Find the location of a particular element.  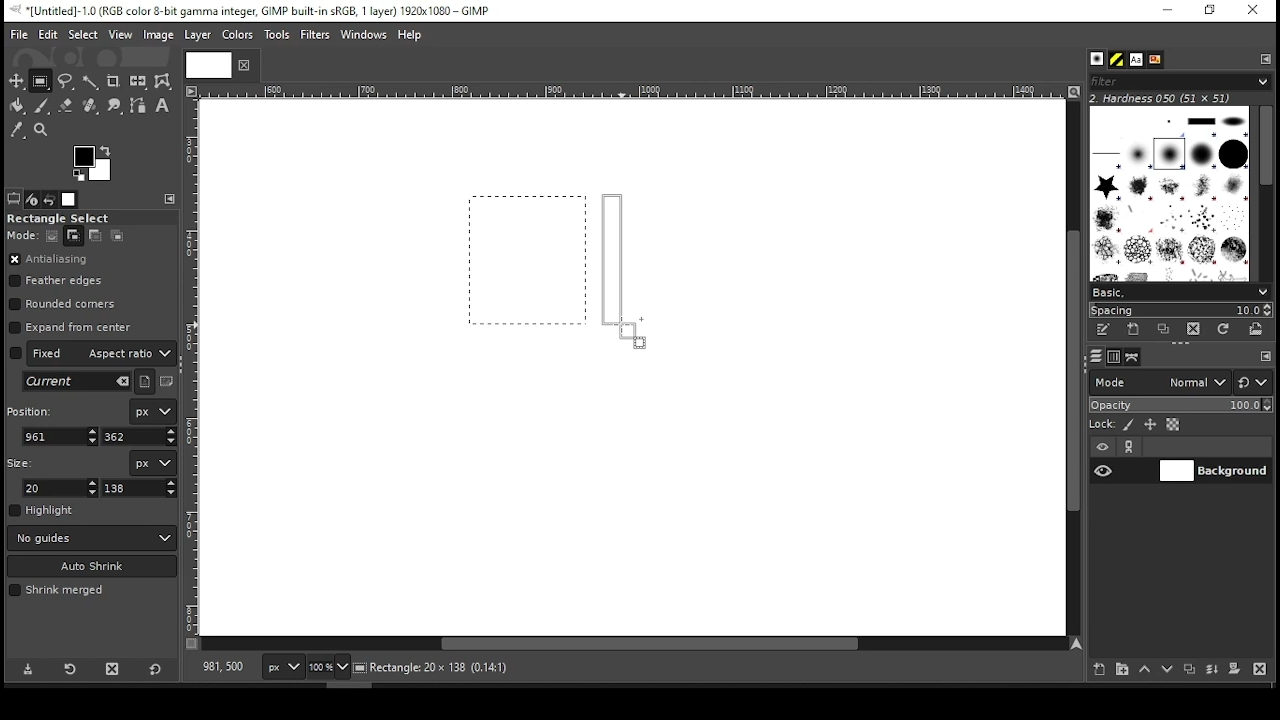

opacity is located at coordinates (1179, 407).